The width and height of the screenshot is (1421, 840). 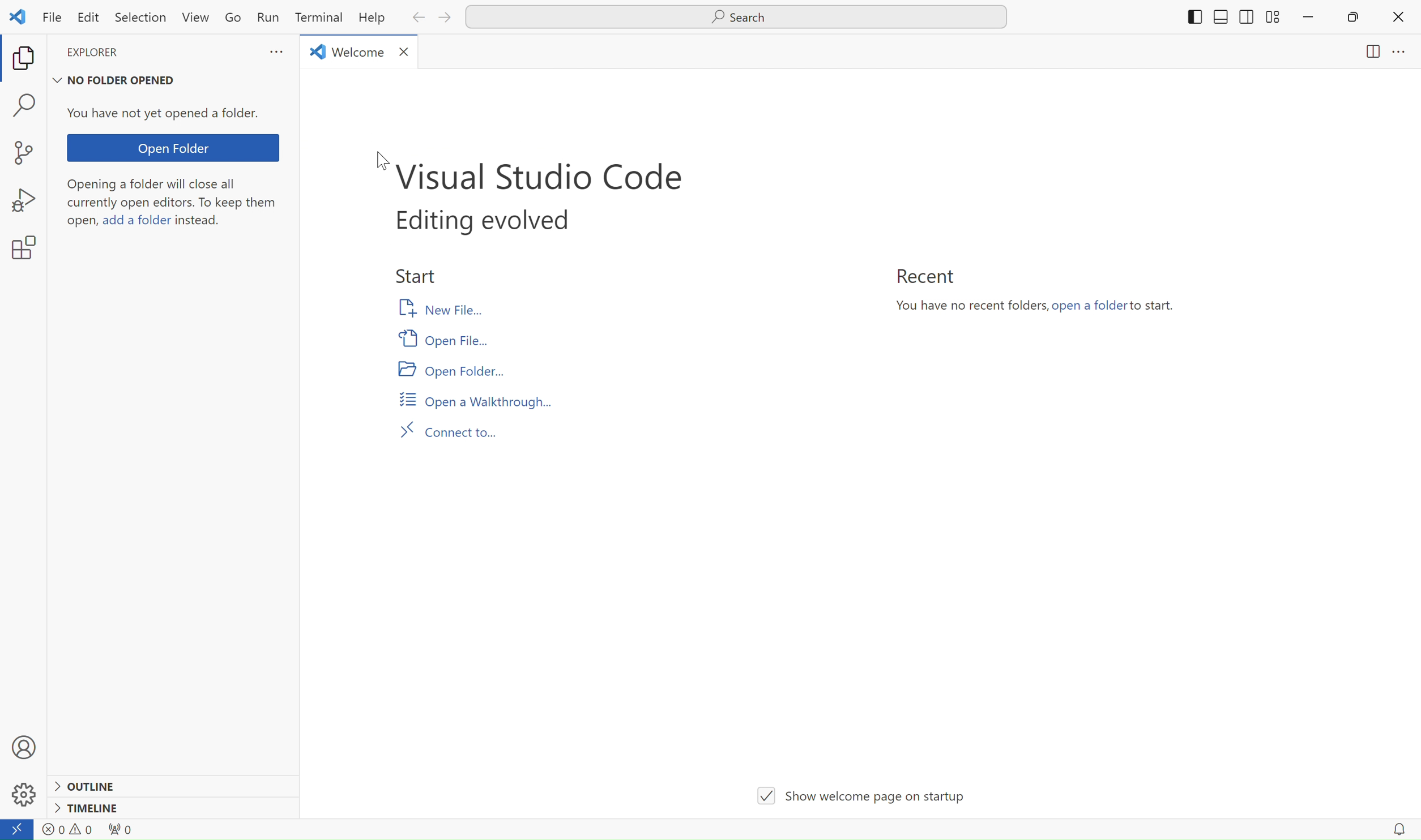 What do you see at coordinates (317, 18) in the screenshot?
I see `Terminal` at bounding box center [317, 18].